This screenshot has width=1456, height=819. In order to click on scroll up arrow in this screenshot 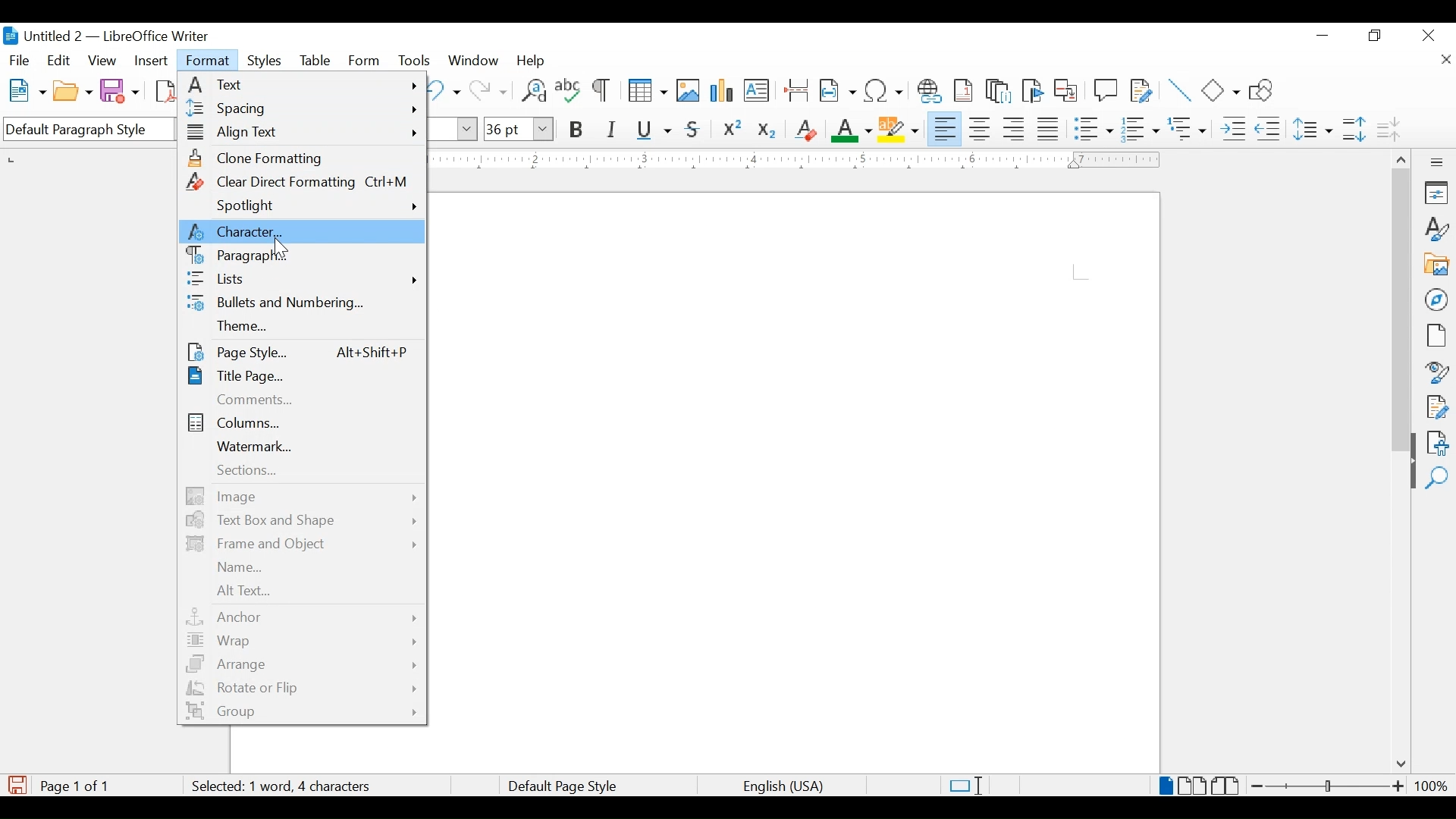, I will do `click(1399, 157)`.